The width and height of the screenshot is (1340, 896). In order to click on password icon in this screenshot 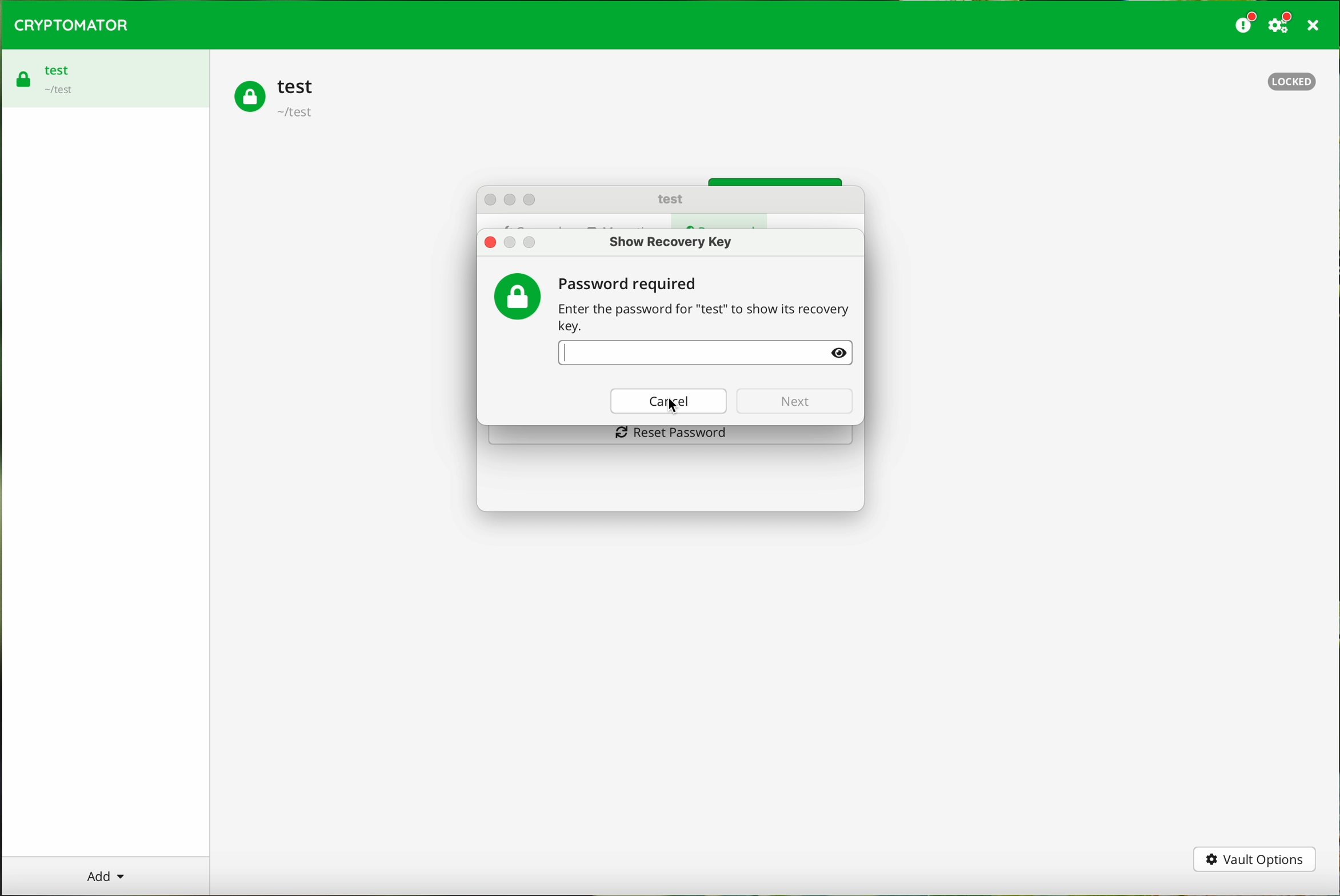, I will do `click(518, 293)`.